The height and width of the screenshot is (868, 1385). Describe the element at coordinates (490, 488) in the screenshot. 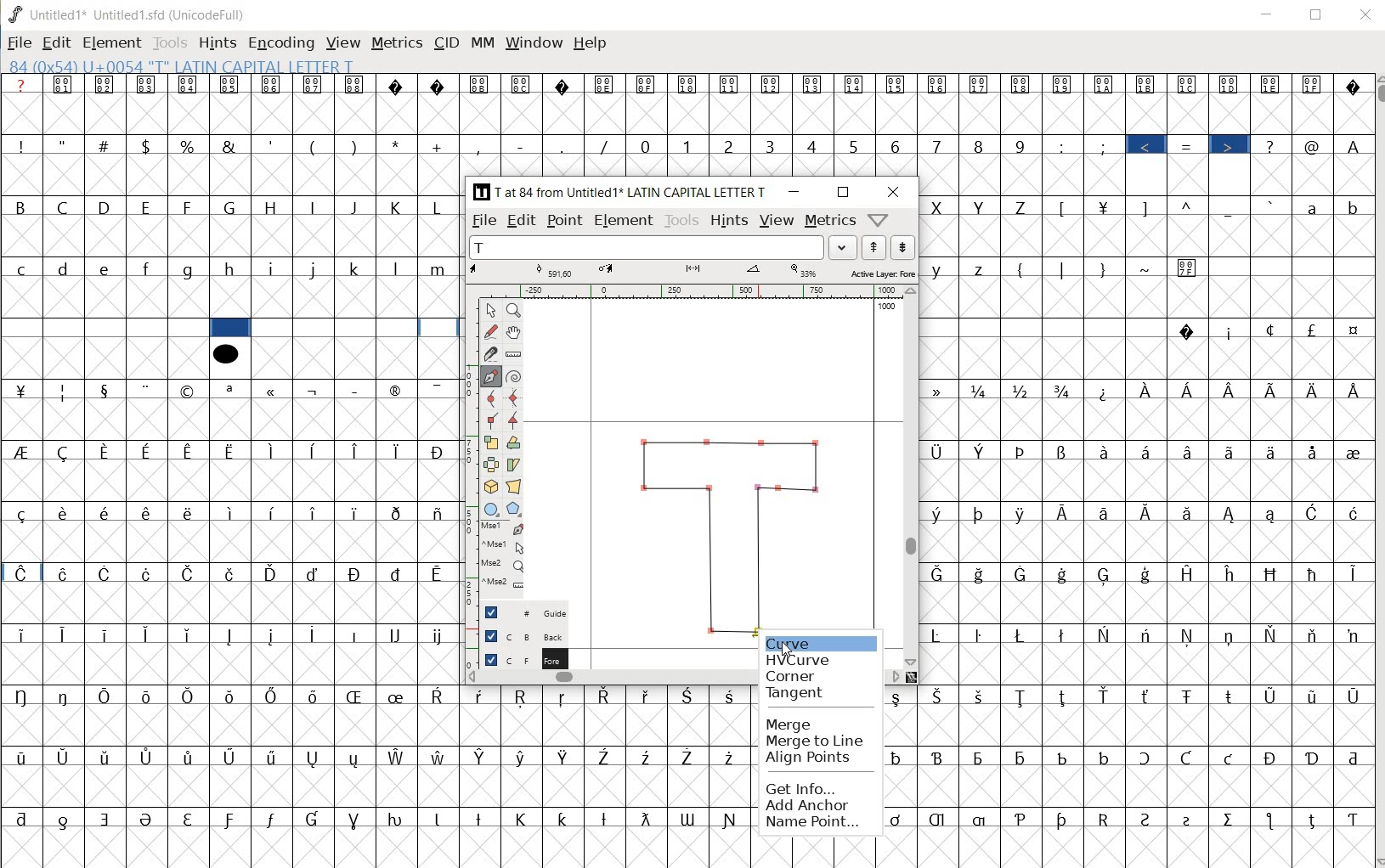

I see `3D rotate` at that location.